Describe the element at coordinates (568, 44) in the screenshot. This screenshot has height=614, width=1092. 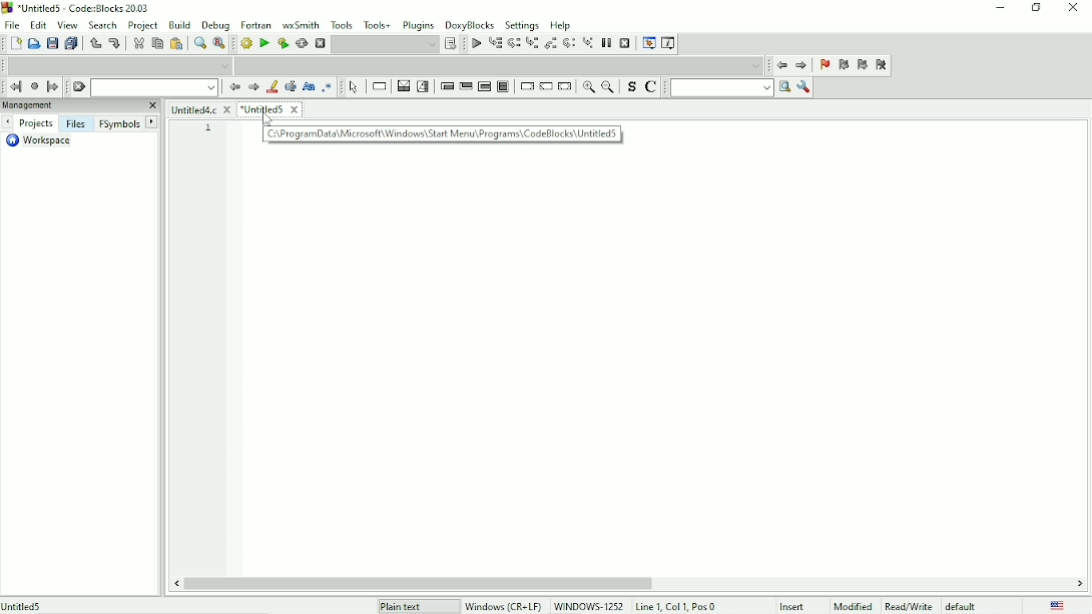
I see `Next instruction` at that location.